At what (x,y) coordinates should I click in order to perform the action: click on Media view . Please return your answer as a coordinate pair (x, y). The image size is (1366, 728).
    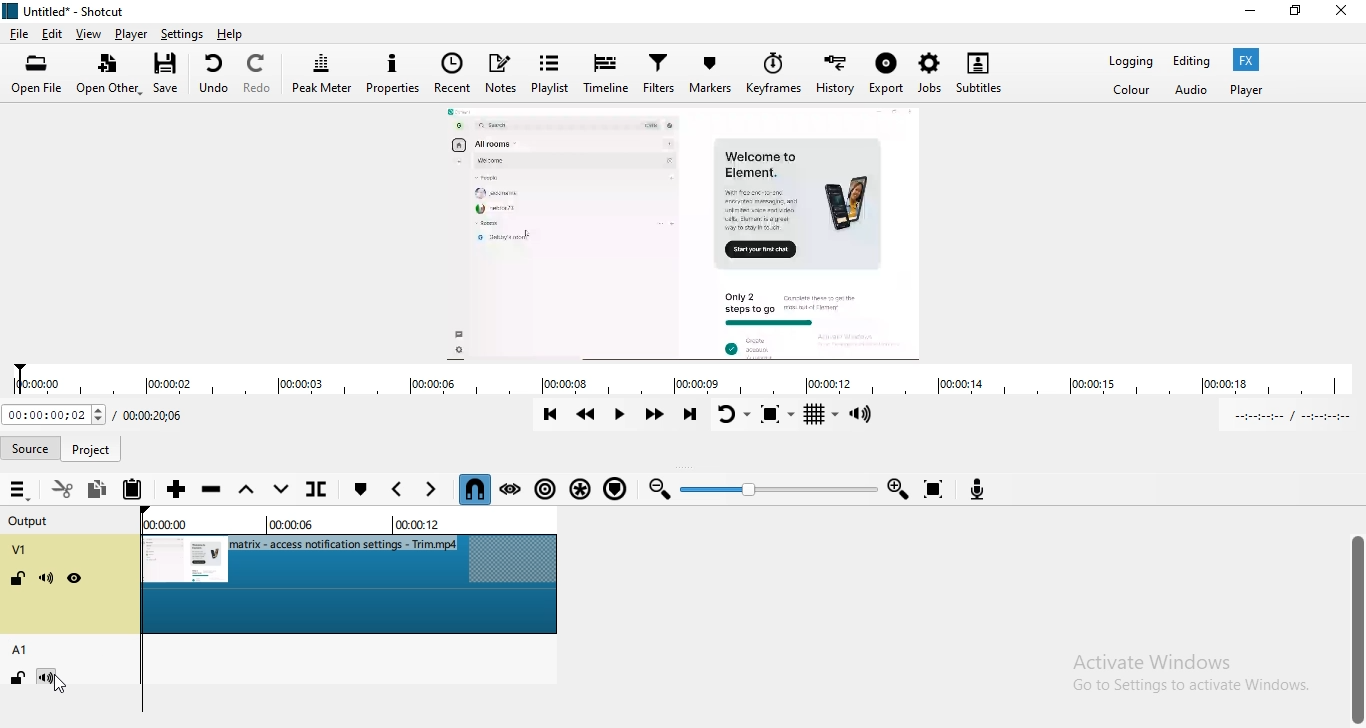
    Looking at the image, I should click on (682, 232).